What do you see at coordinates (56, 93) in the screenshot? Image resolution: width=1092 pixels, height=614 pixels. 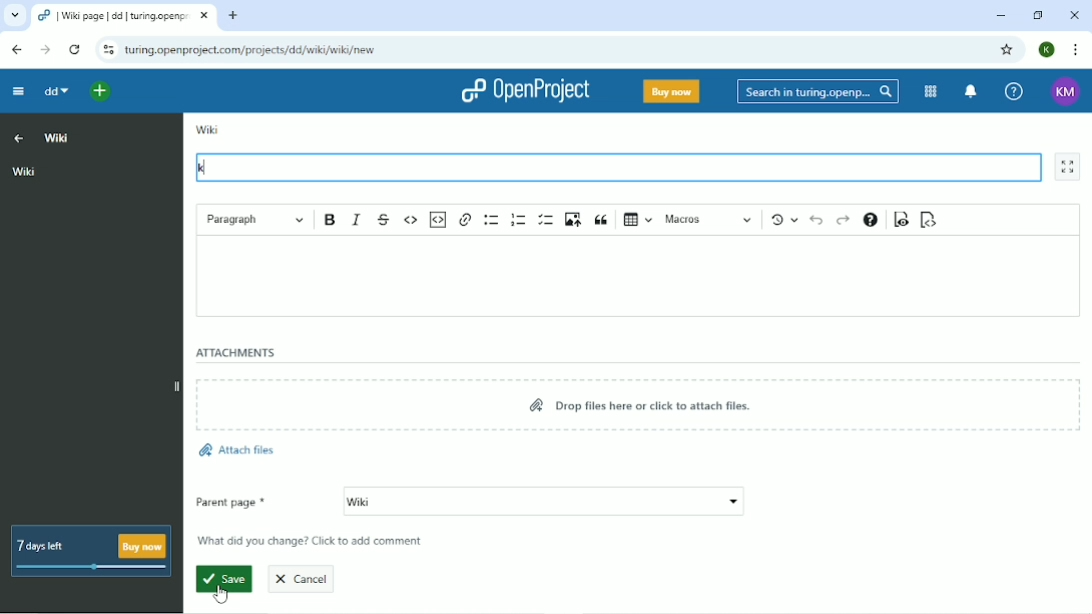 I see `dd` at bounding box center [56, 93].